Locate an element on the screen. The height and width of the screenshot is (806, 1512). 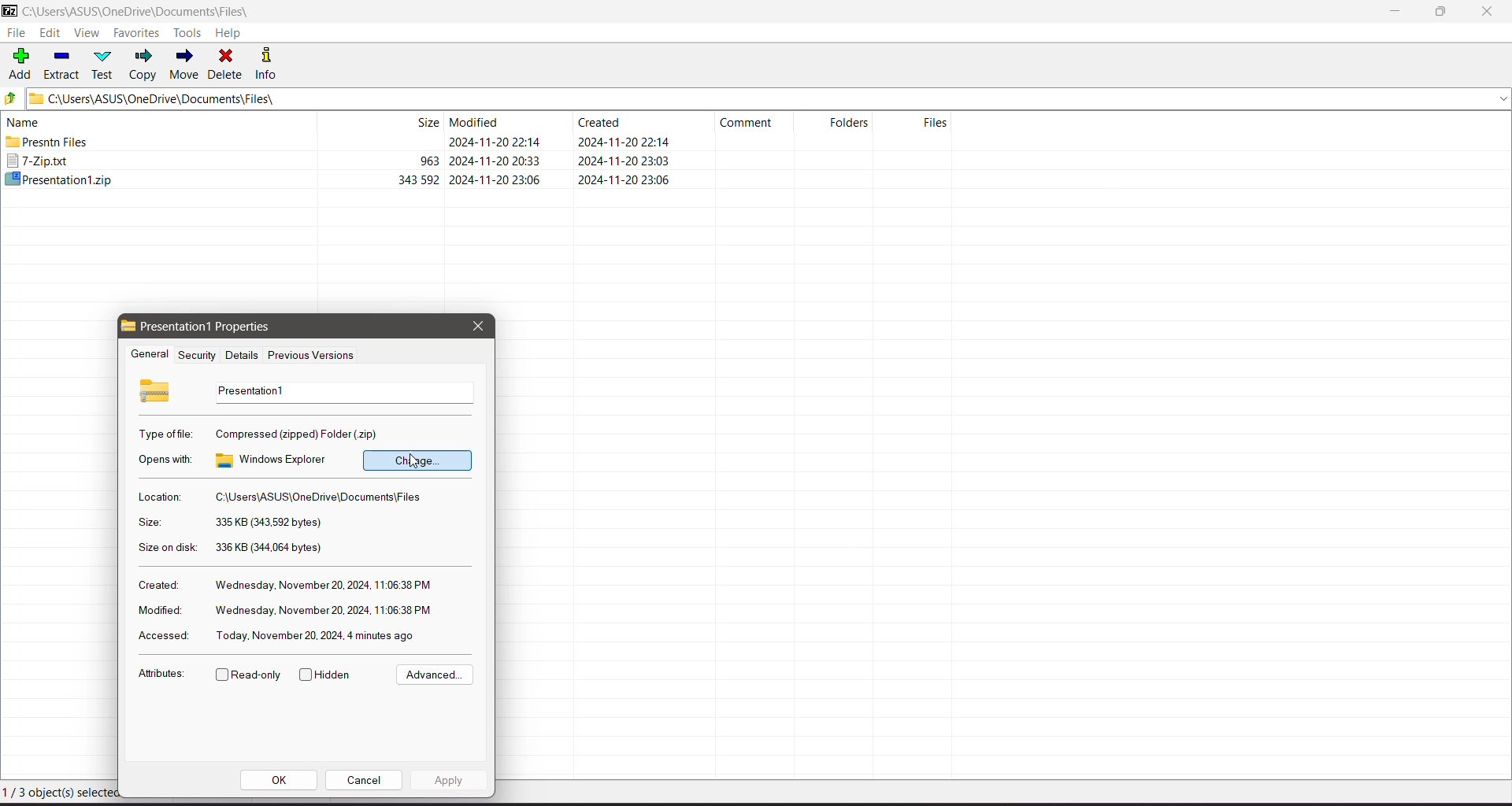
Move is located at coordinates (184, 65).